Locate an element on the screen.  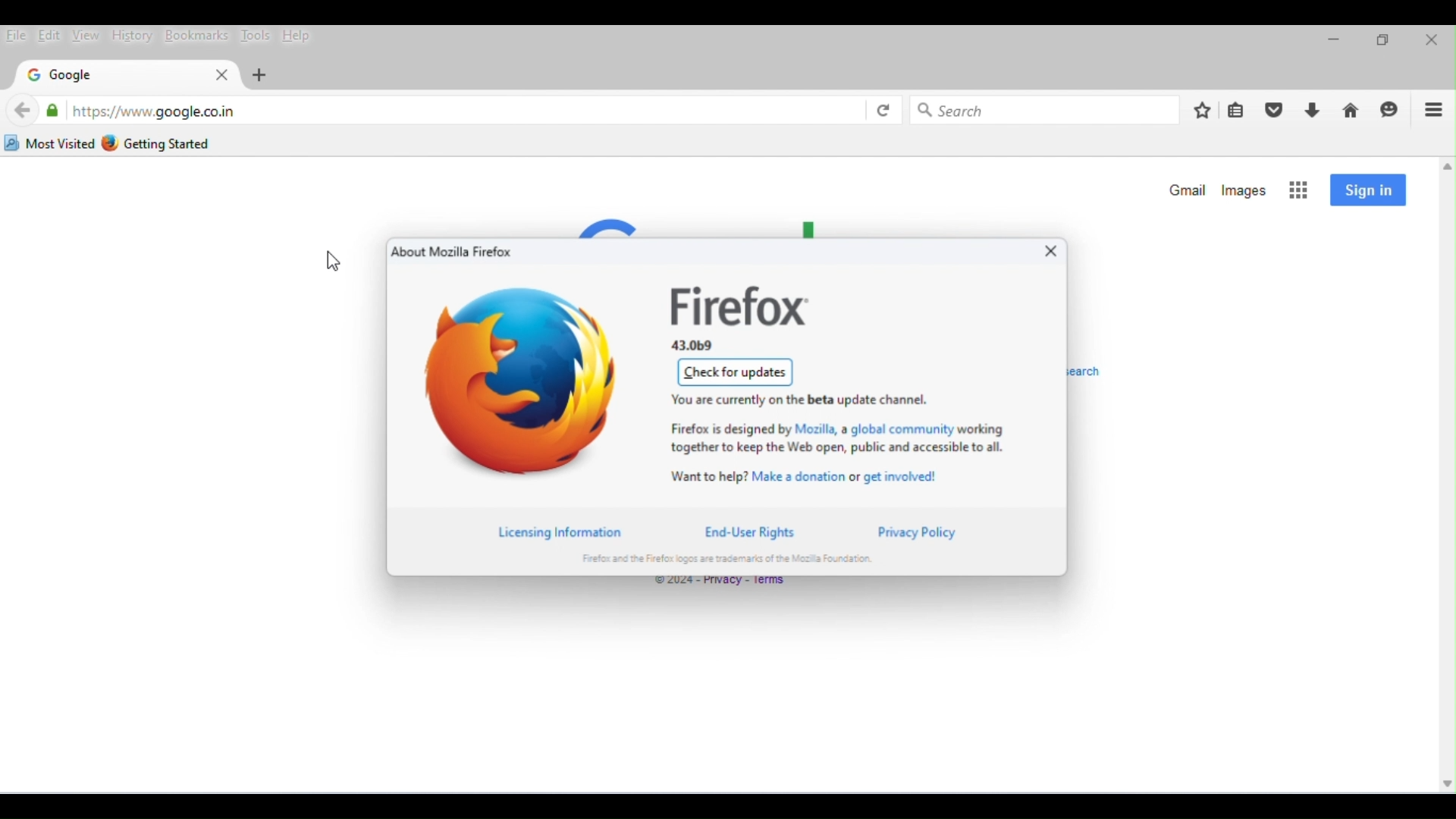
bookmarks is located at coordinates (196, 36).